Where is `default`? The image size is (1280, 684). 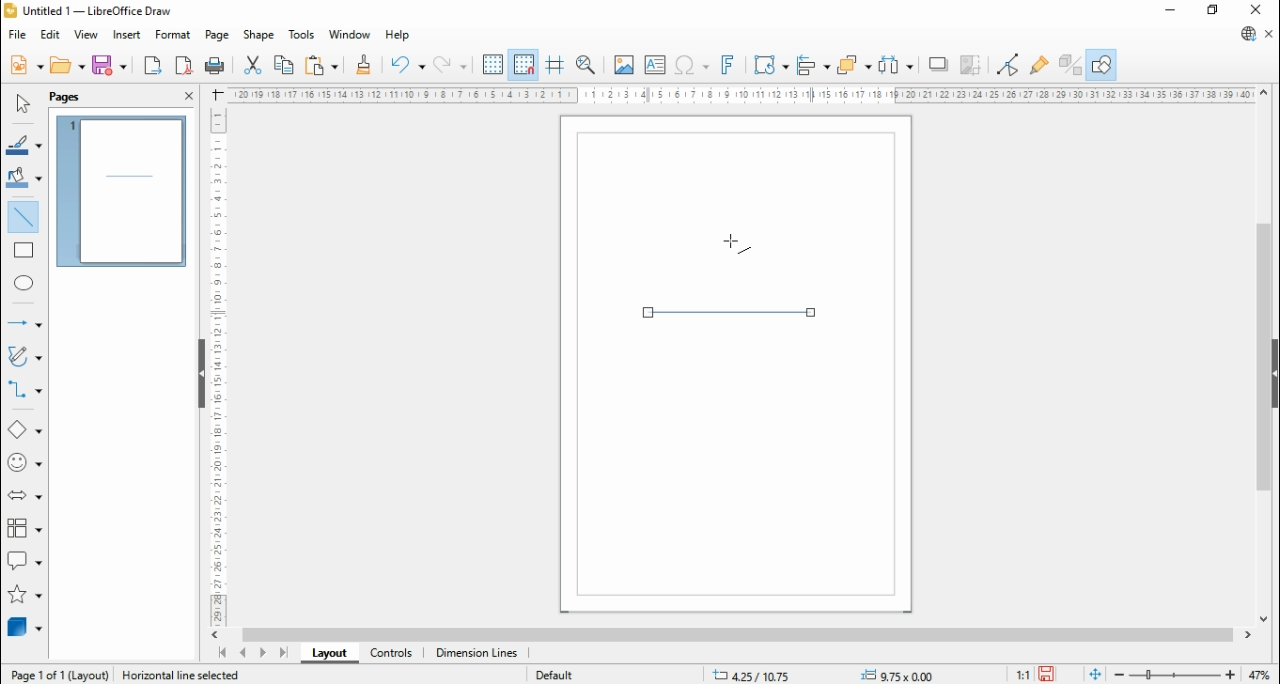
default is located at coordinates (555, 675).